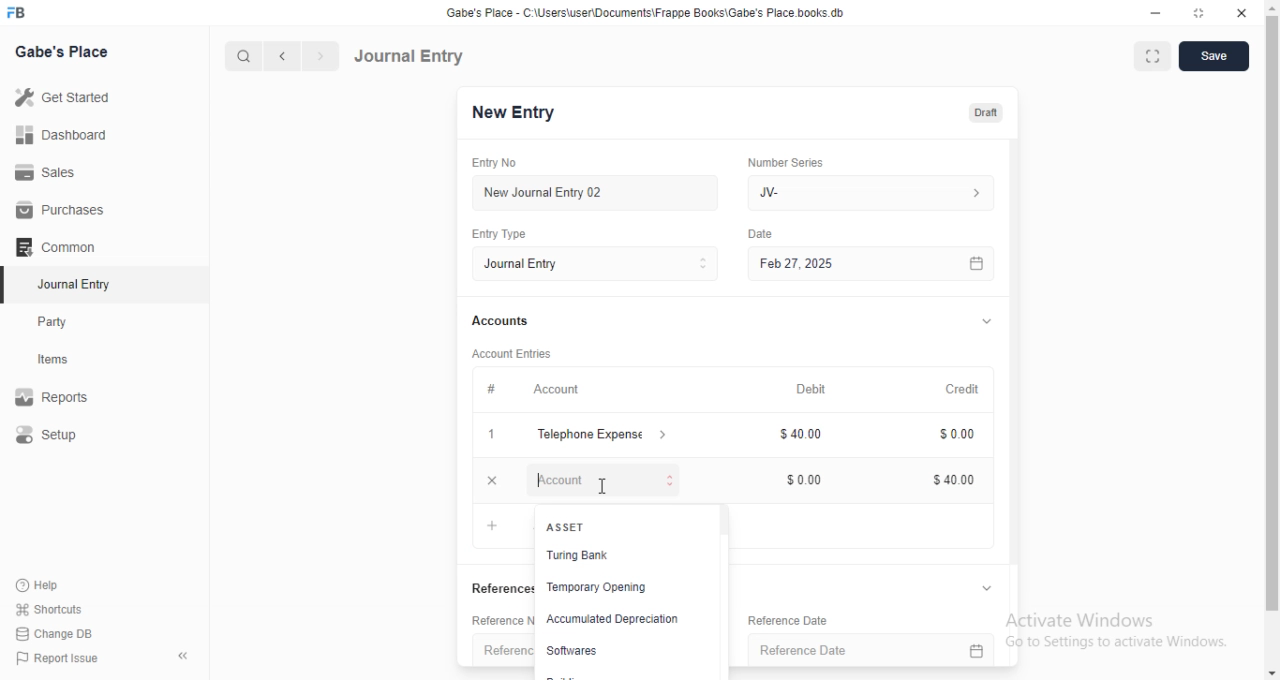 This screenshot has width=1280, height=680. Describe the element at coordinates (482, 588) in the screenshot. I see `References` at that location.